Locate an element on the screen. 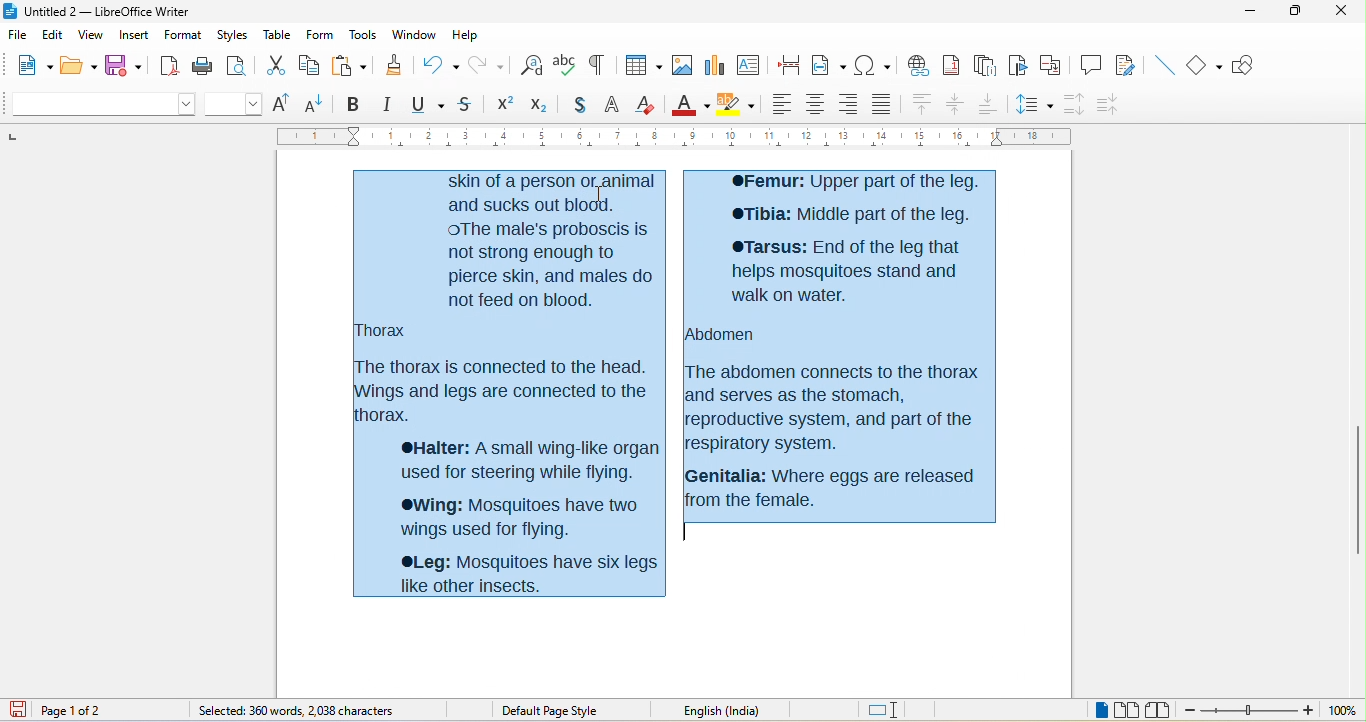 Image resolution: width=1366 pixels, height=722 pixels. basic shape is located at coordinates (1203, 64).